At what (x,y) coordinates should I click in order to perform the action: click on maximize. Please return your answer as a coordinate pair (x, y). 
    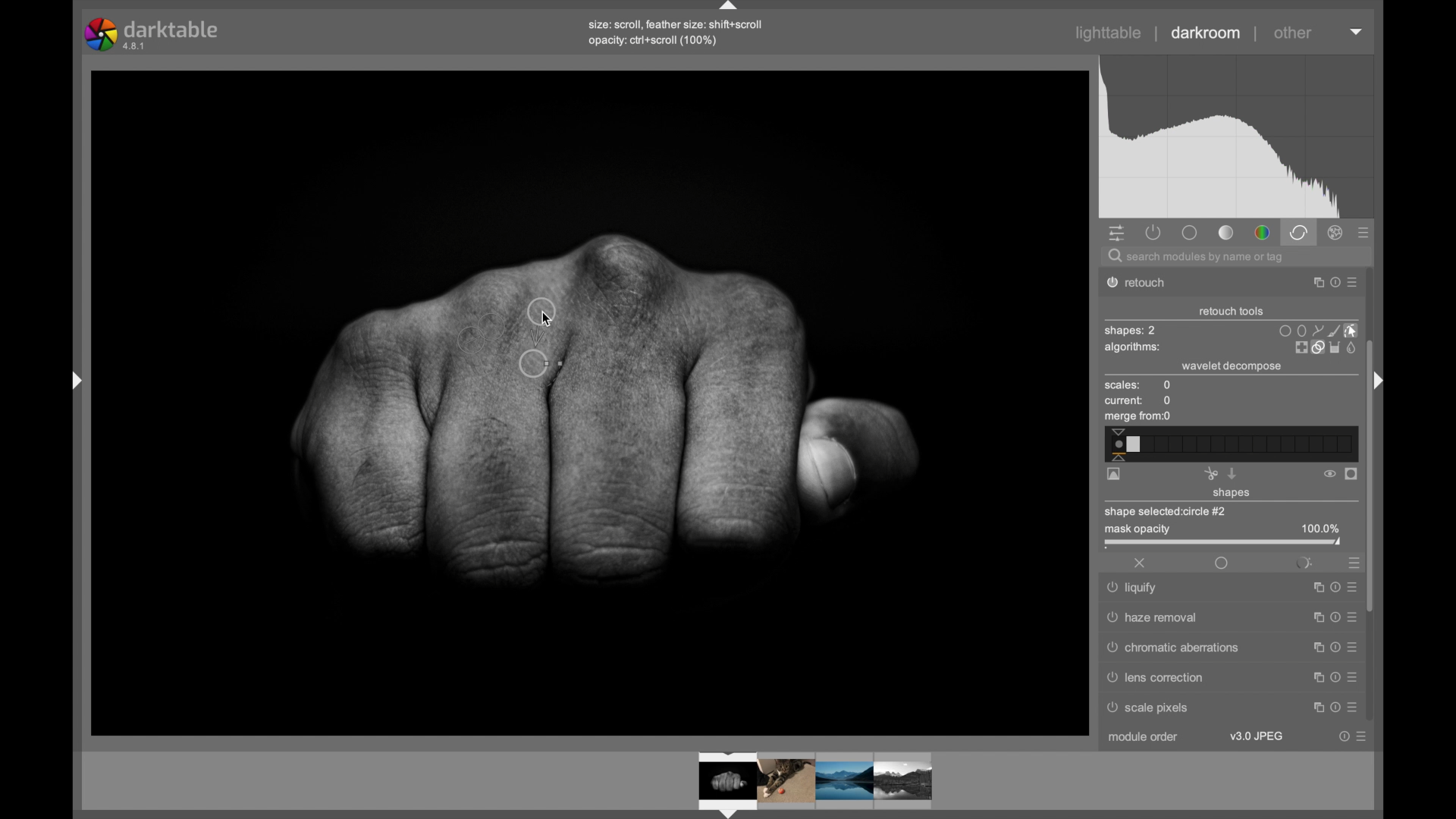
    Looking at the image, I should click on (1313, 588).